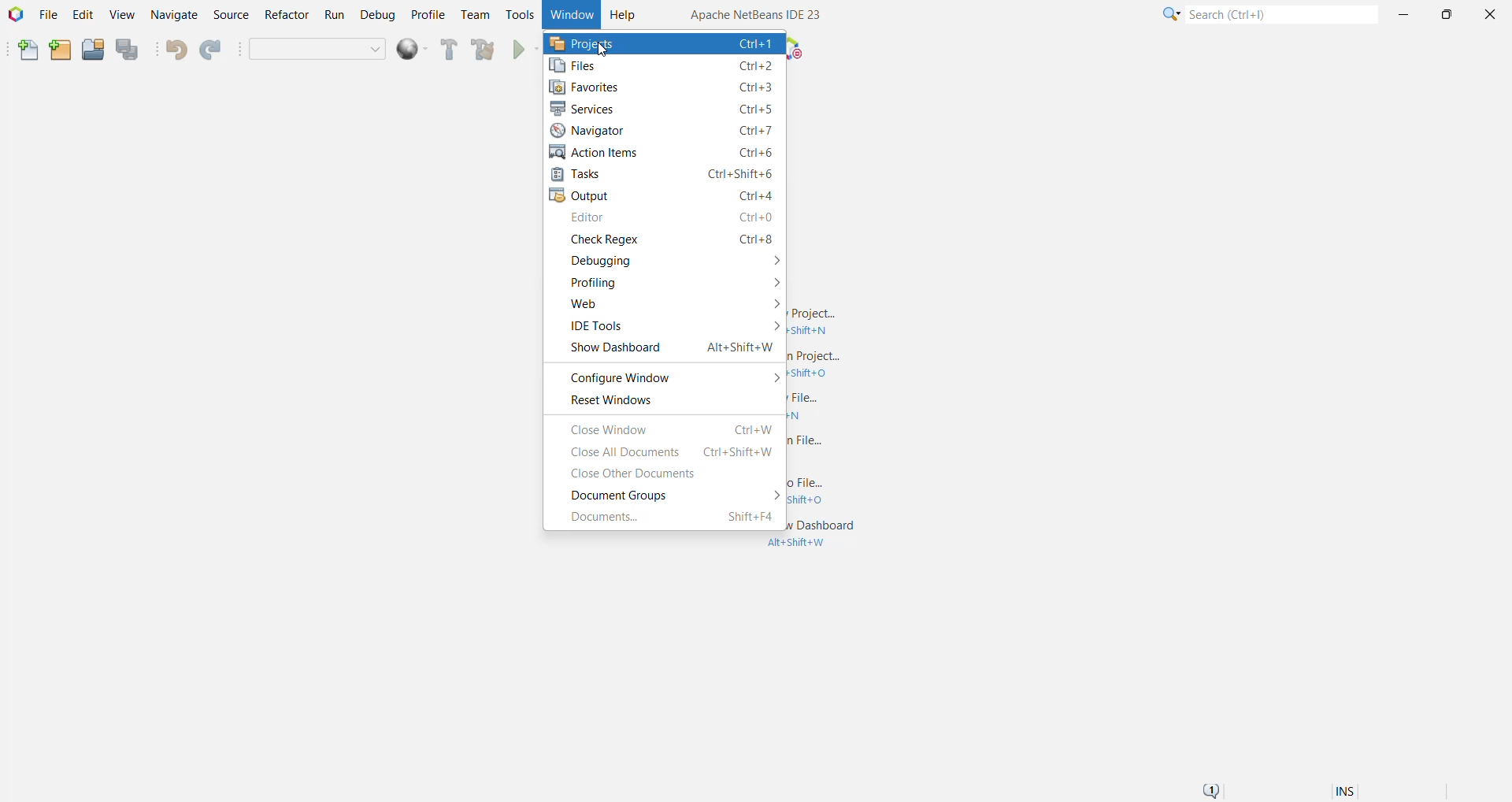 The width and height of the screenshot is (1512, 802). What do you see at coordinates (670, 326) in the screenshot?
I see `IDE Tools` at bounding box center [670, 326].